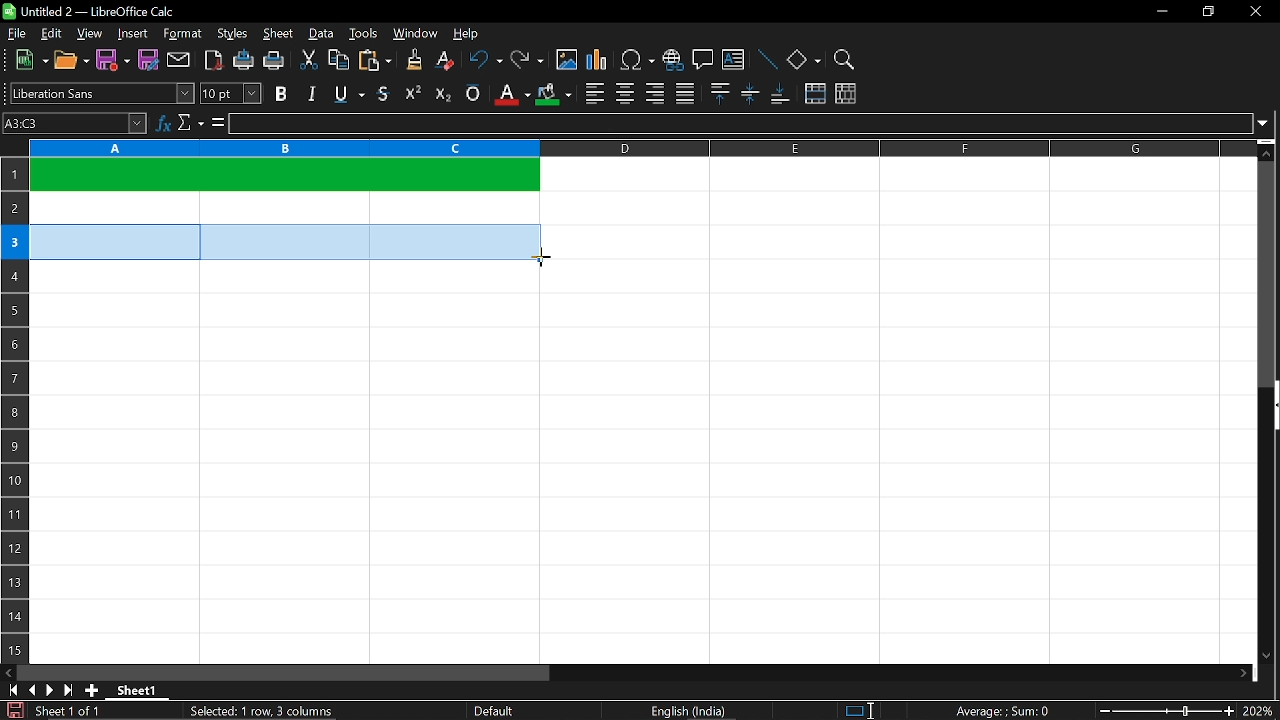  I want to click on italic, so click(311, 93).